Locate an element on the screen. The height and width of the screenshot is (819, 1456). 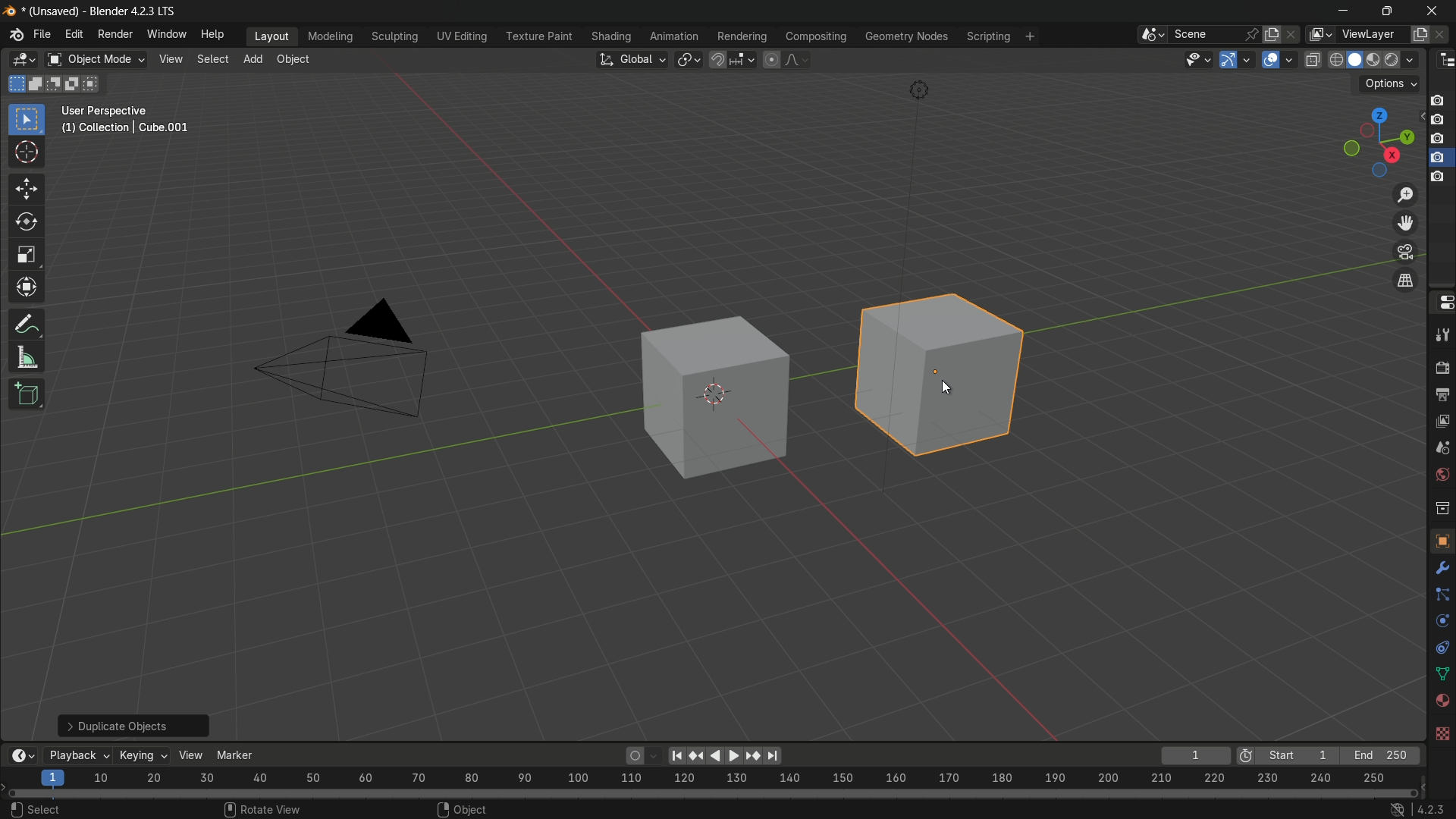
start timeline is located at coordinates (1298, 756).